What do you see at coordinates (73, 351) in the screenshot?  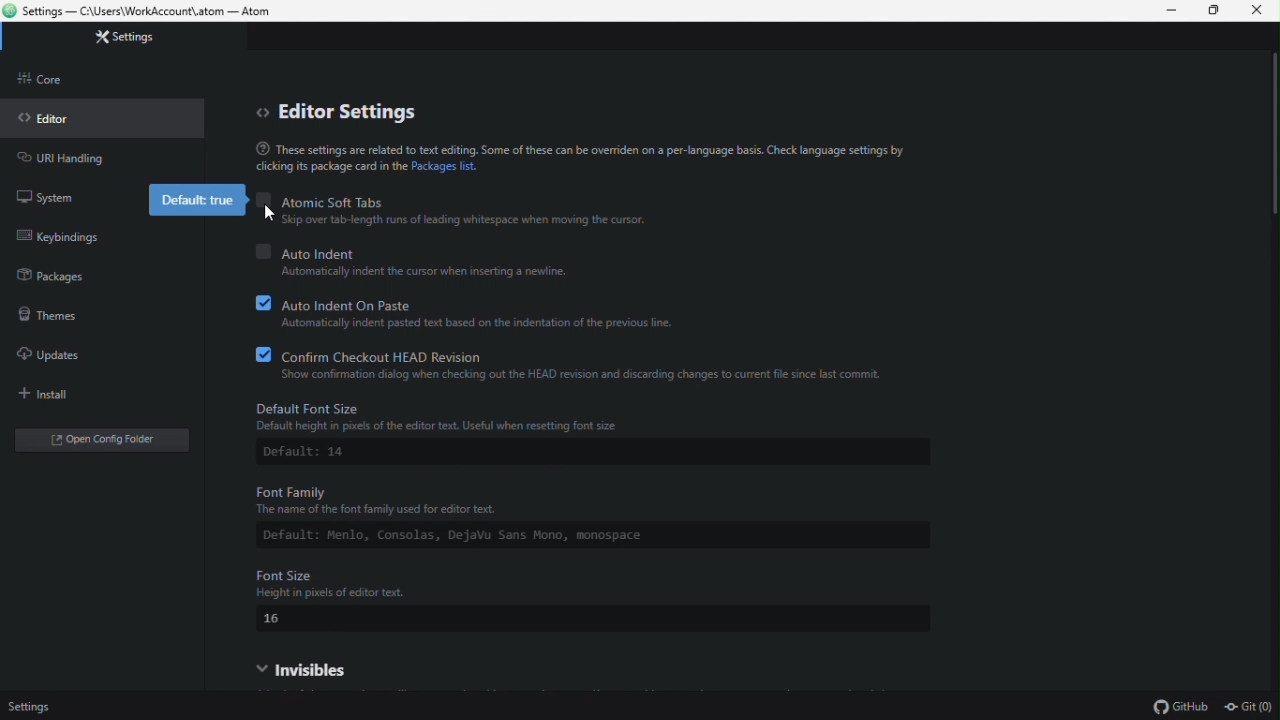 I see `Update` at bounding box center [73, 351].